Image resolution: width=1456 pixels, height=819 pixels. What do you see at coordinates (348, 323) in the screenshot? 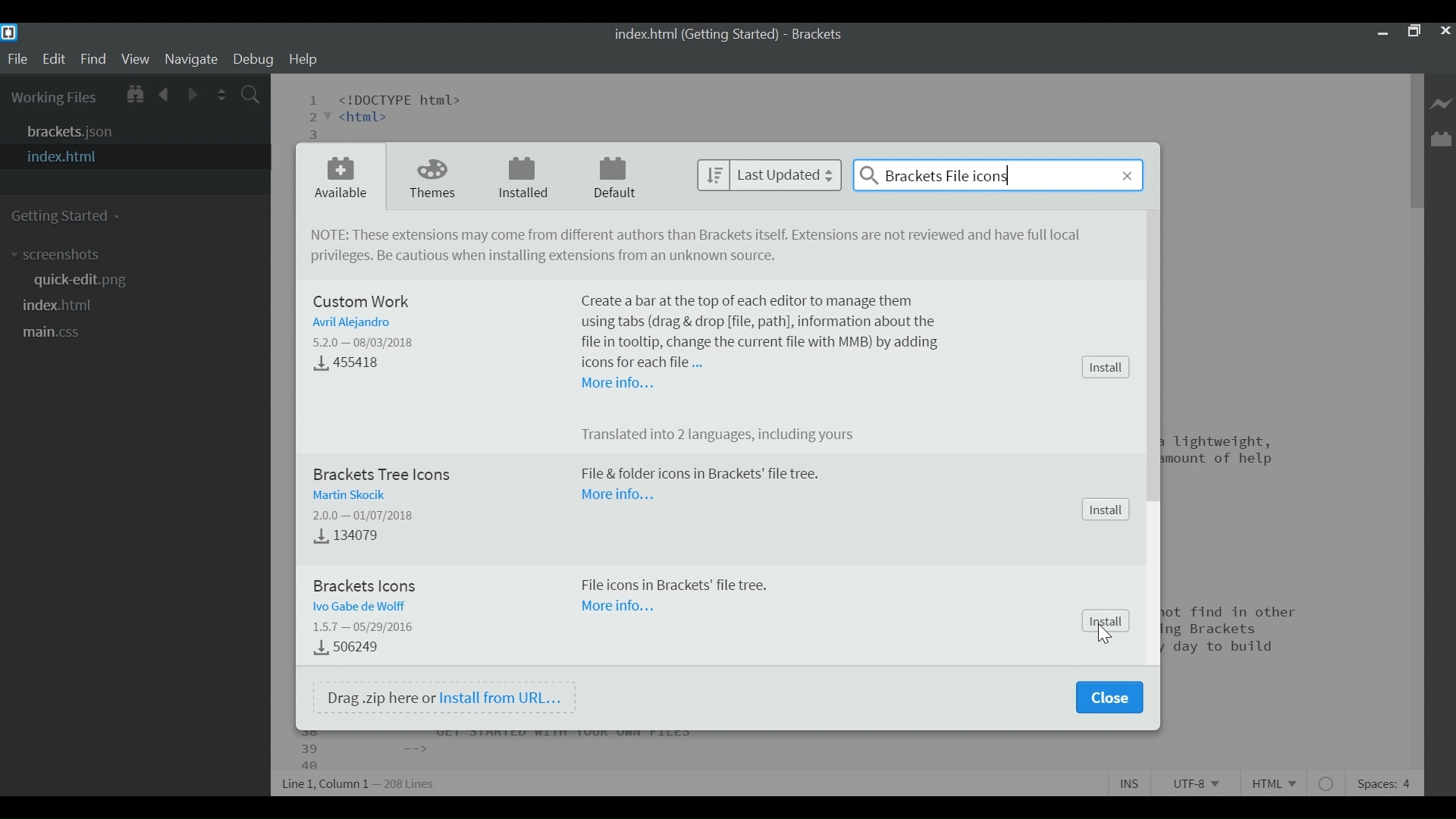
I see `Author` at bounding box center [348, 323].